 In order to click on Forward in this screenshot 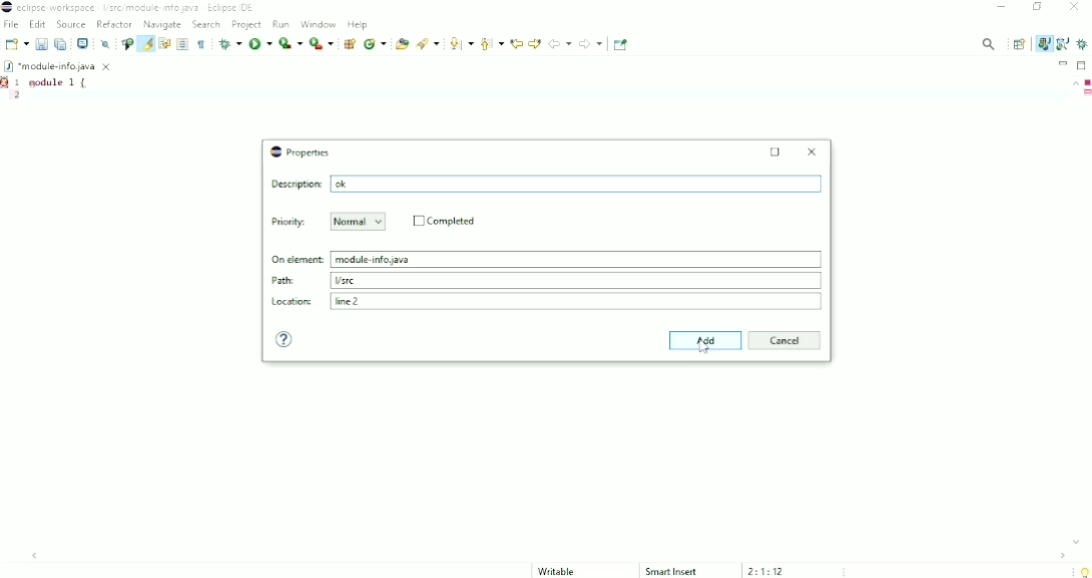, I will do `click(591, 44)`.